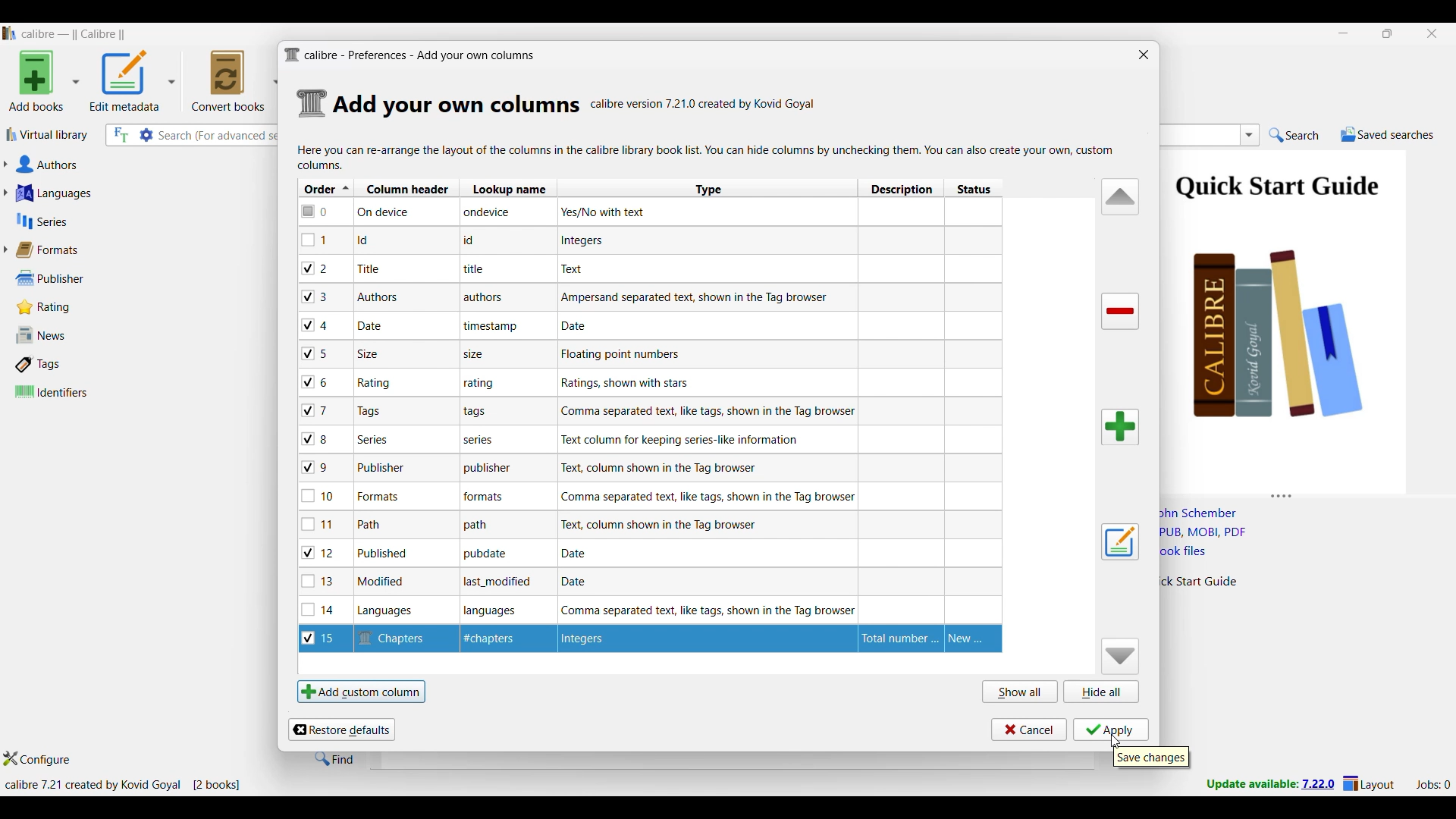 This screenshot has height=819, width=1456. I want to click on Saved searches, so click(1387, 134).